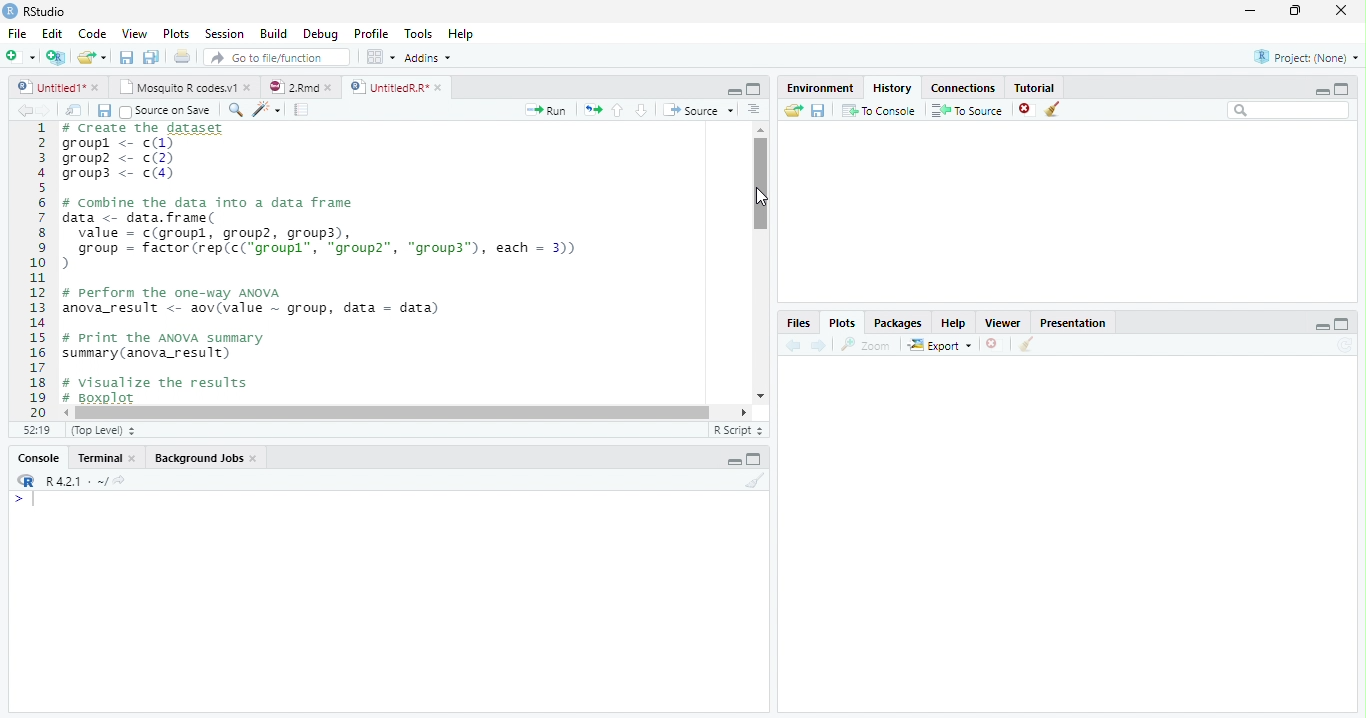  What do you see at coordinates (1305, 57) in the screenshot?
I see `Project (None)` at bounding box center [1305, 57].